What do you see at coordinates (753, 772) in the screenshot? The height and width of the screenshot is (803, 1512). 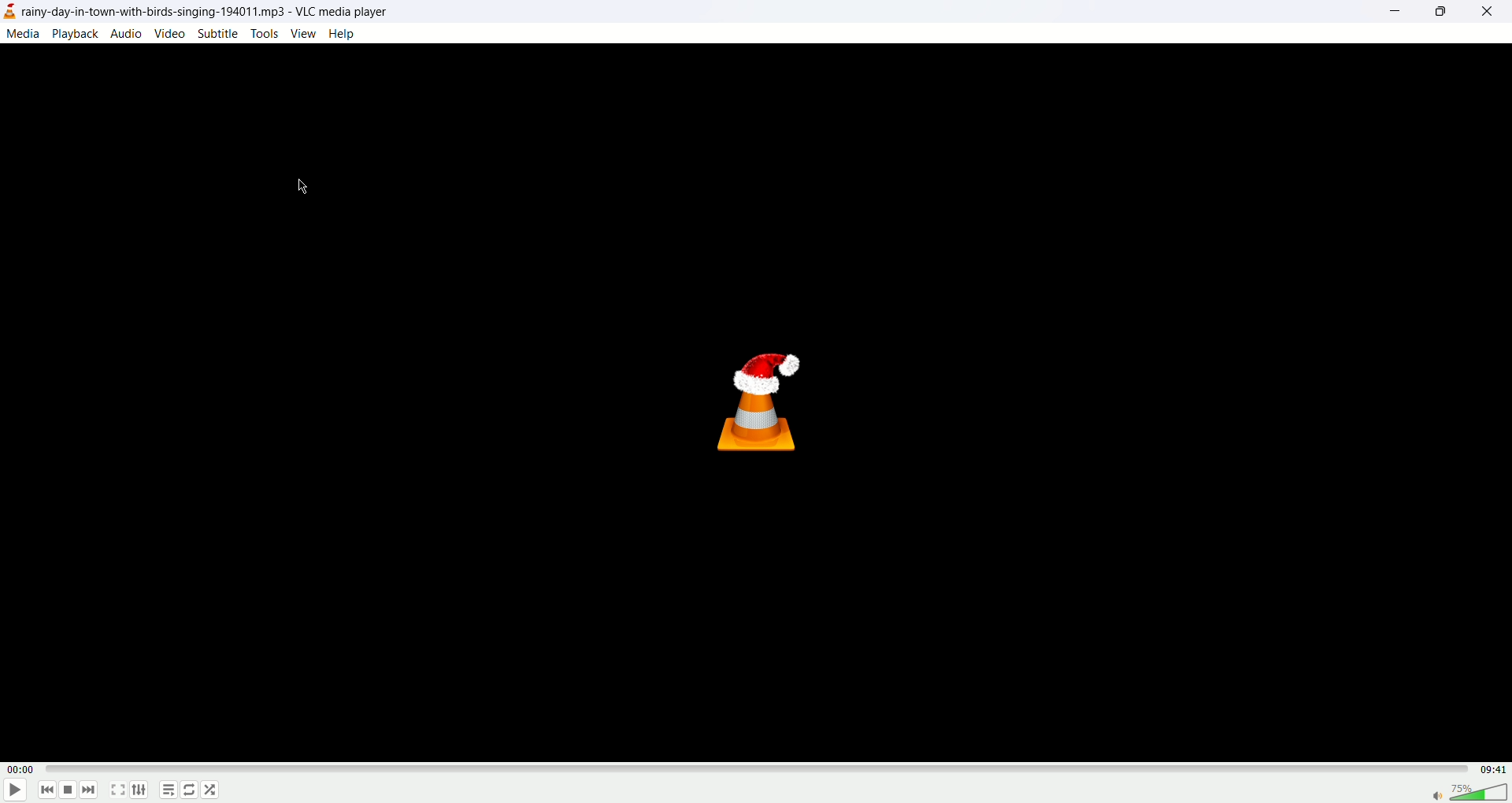 I see `progress bar` at bounding box center [753, 772].